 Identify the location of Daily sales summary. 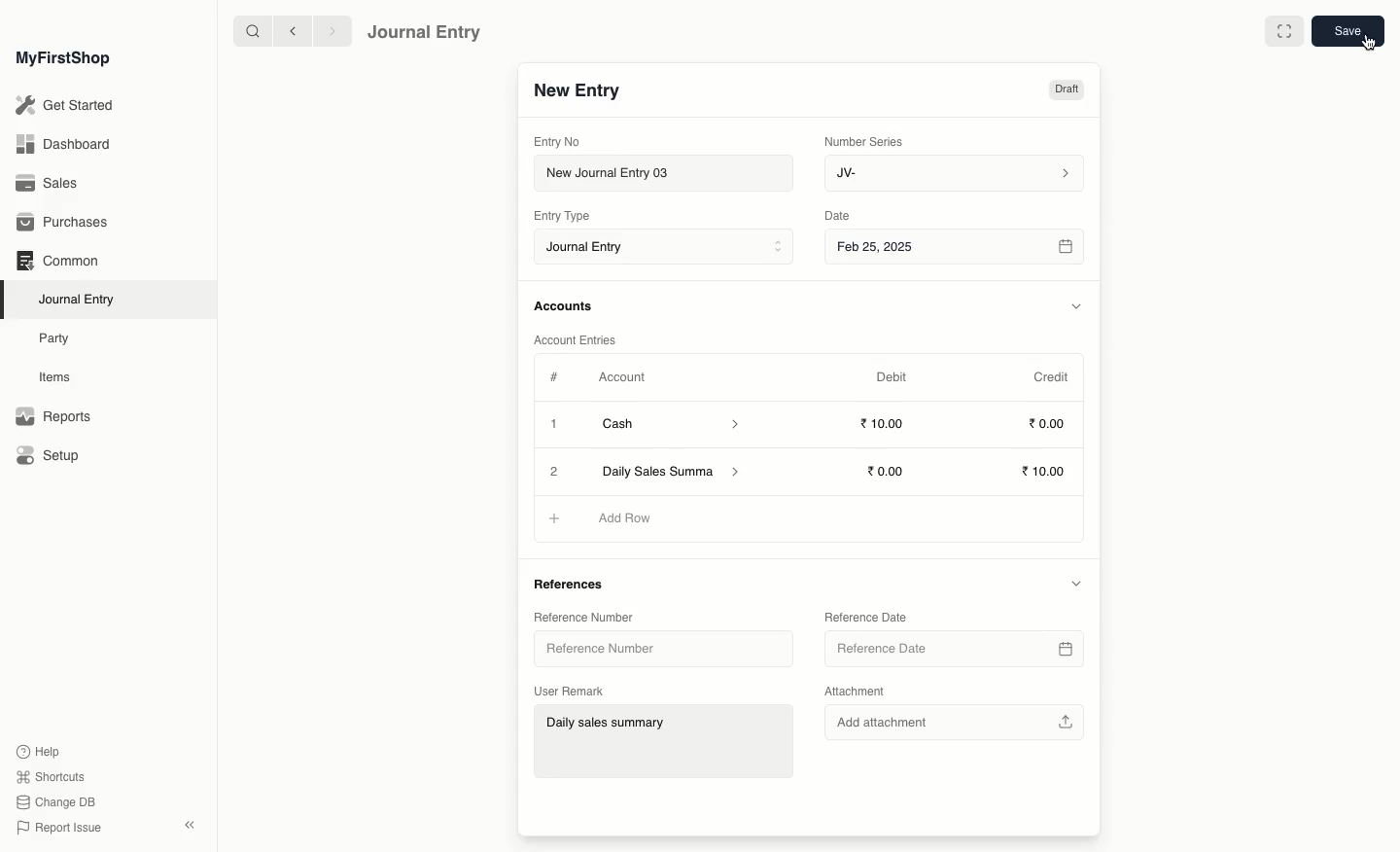
(673, 473).